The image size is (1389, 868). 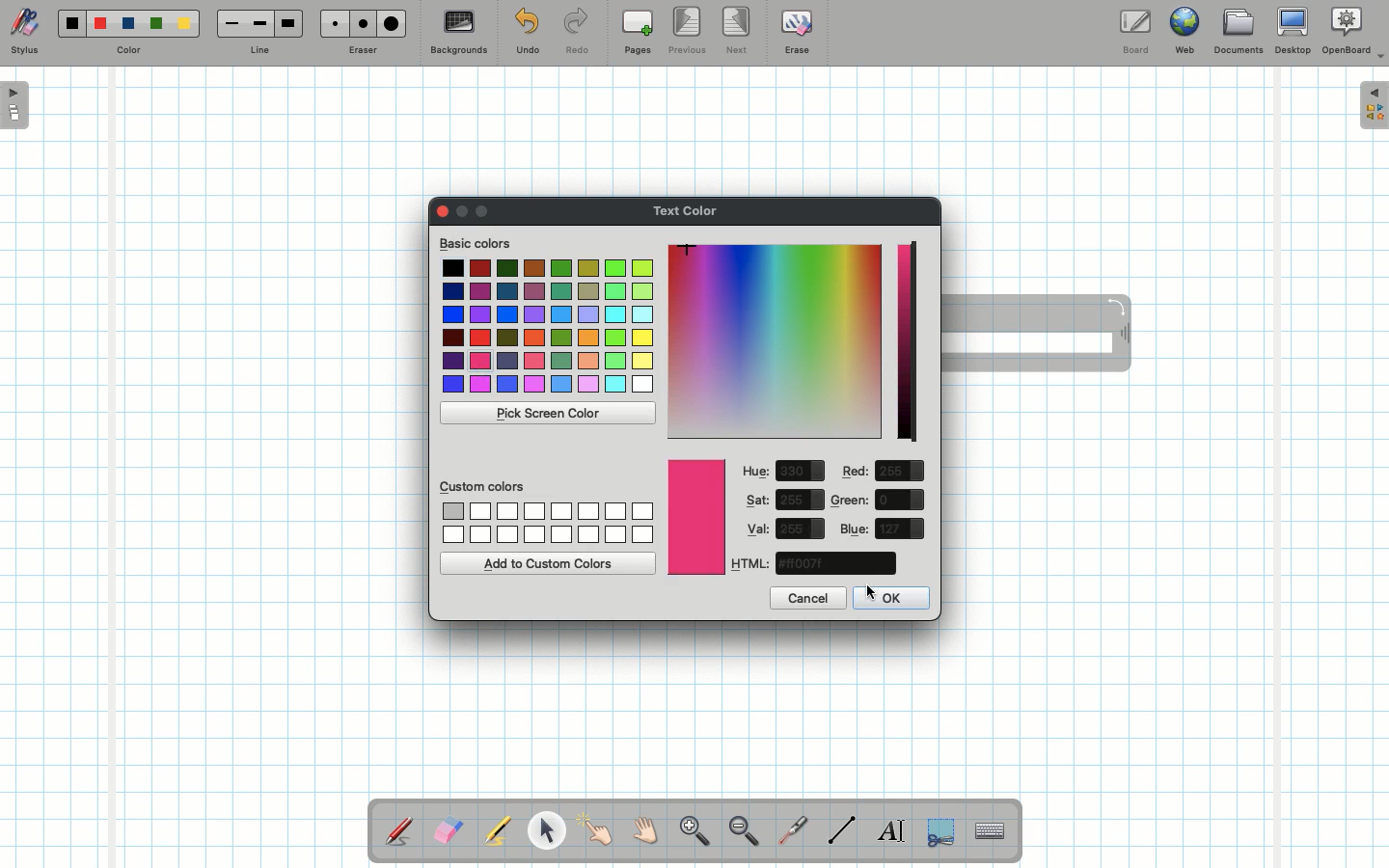 I want to click on Eraser, so click(x=448, y=832).